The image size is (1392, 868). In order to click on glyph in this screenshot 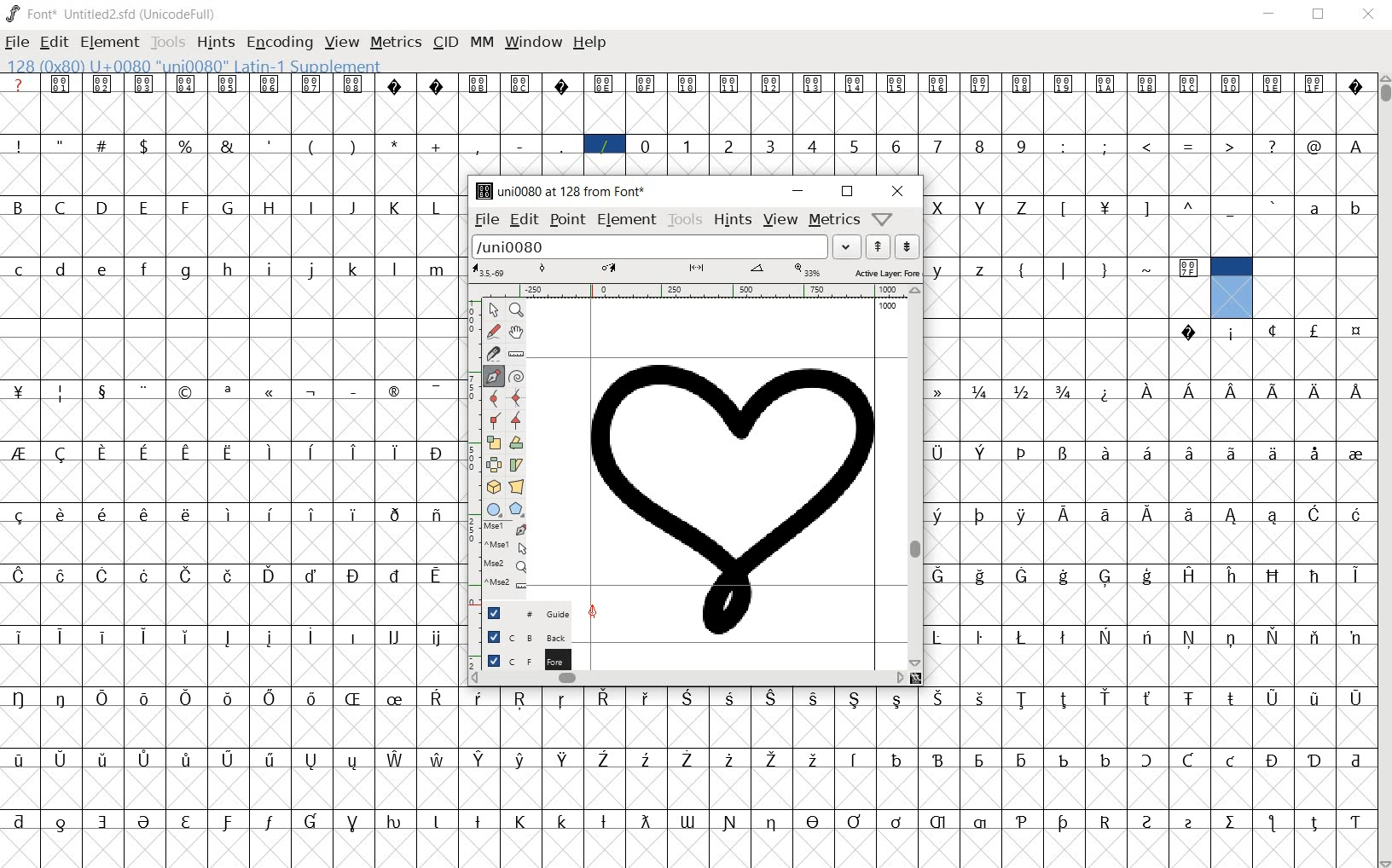, I will do `click(393, 269)`.